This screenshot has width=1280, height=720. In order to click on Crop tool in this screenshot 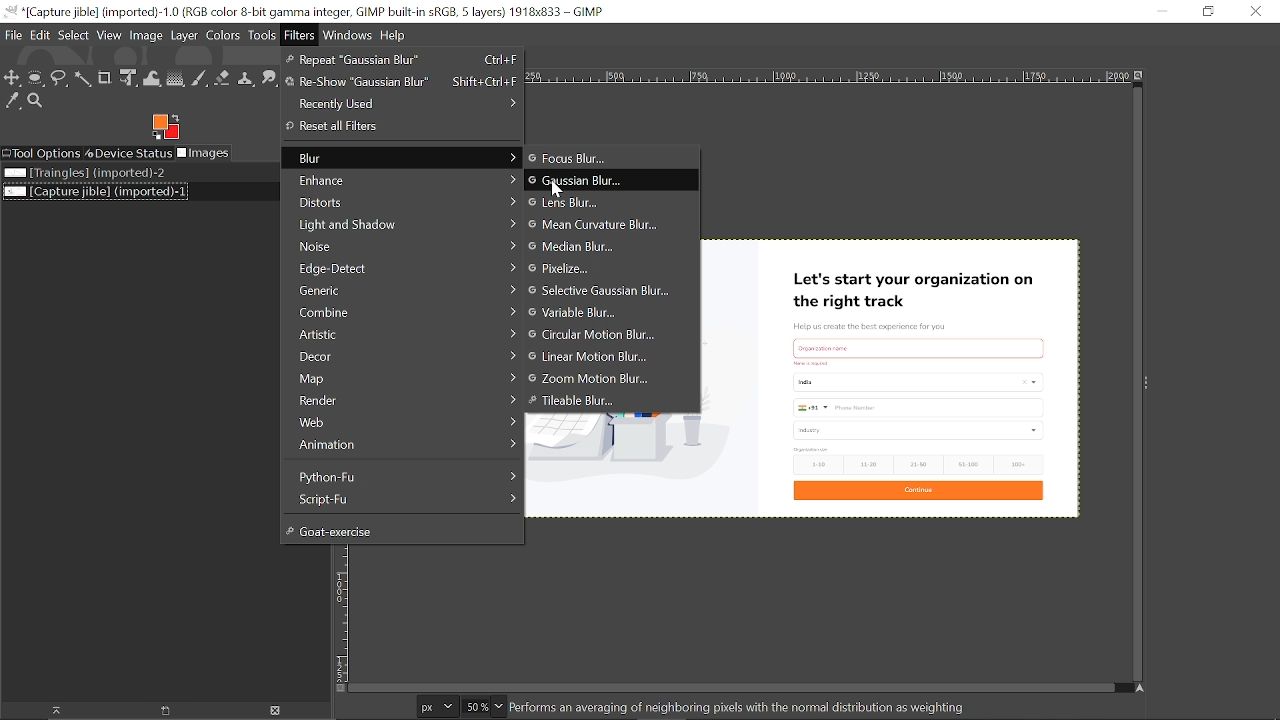, I will do `click(106, 79)`.